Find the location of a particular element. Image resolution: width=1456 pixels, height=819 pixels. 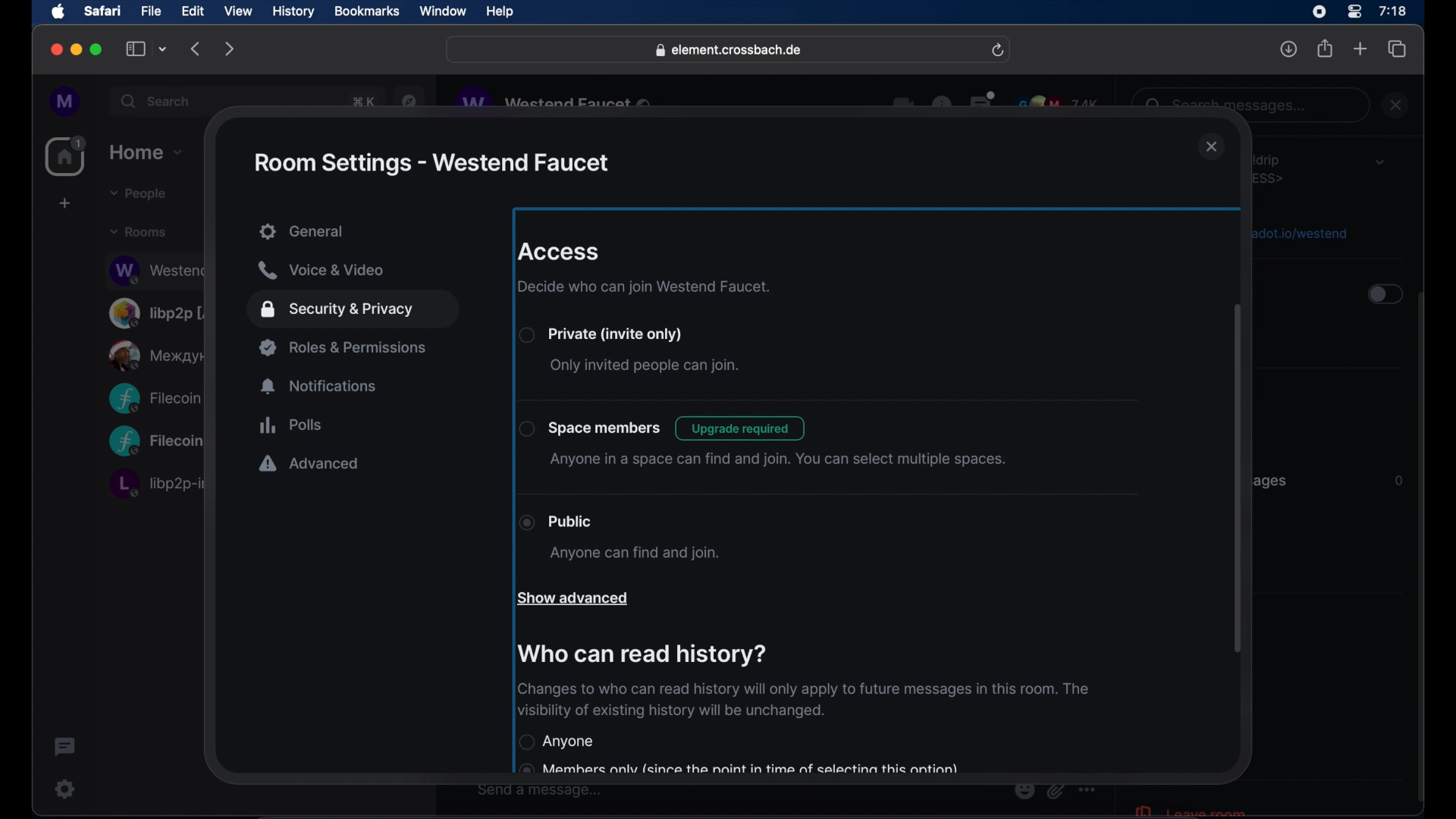

thread activity is located at coordinates (66, 747).